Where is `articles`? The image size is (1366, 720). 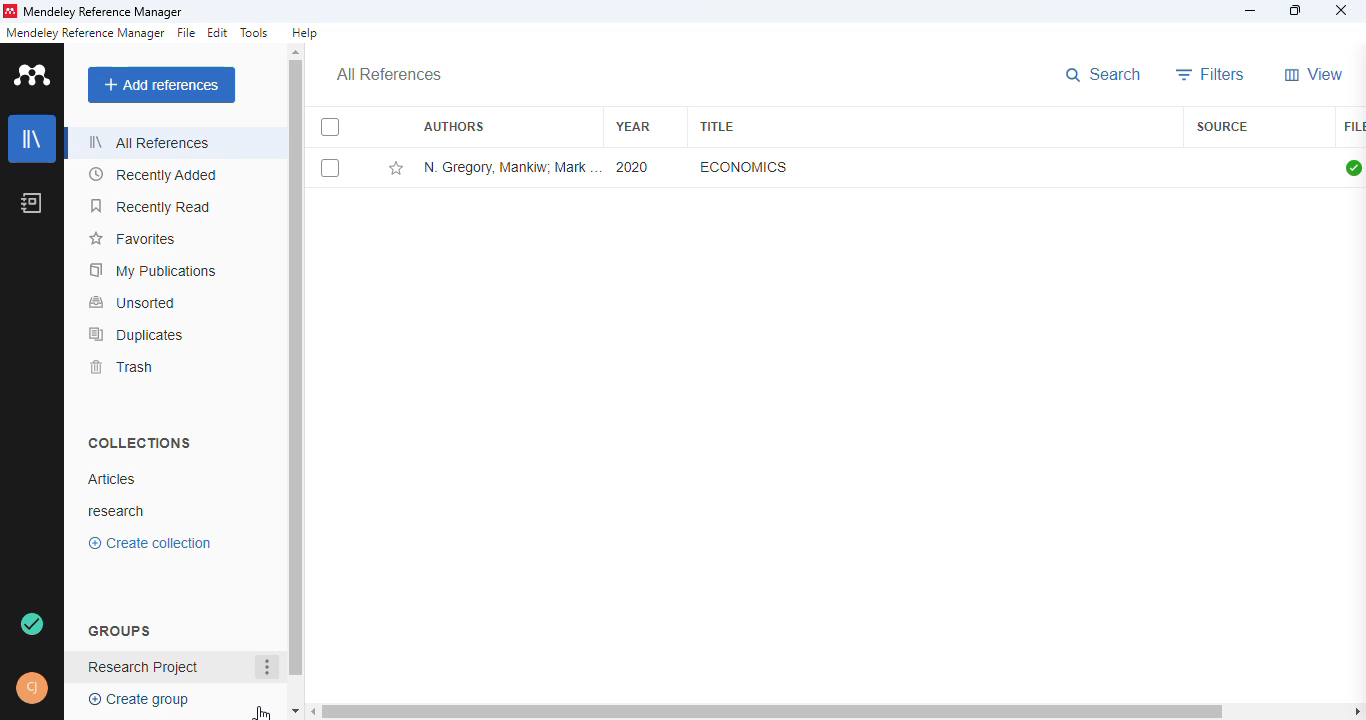 articles is located at coordinates (111, 480).